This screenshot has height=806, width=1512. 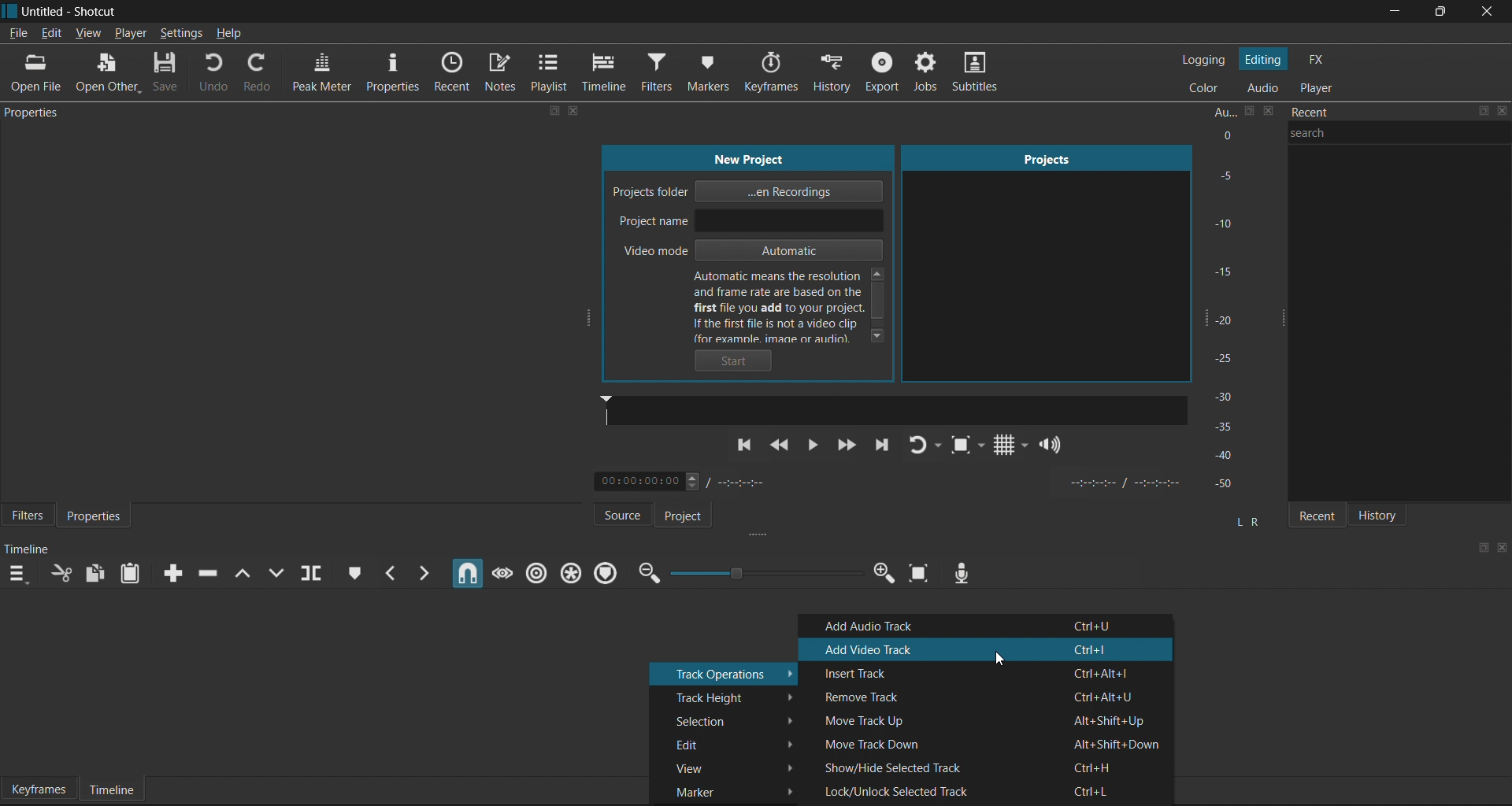 What do you see at coordinates (964, 448) in the screenshot?
I see `Toggle Zoom` at bounding box center [964, 448].